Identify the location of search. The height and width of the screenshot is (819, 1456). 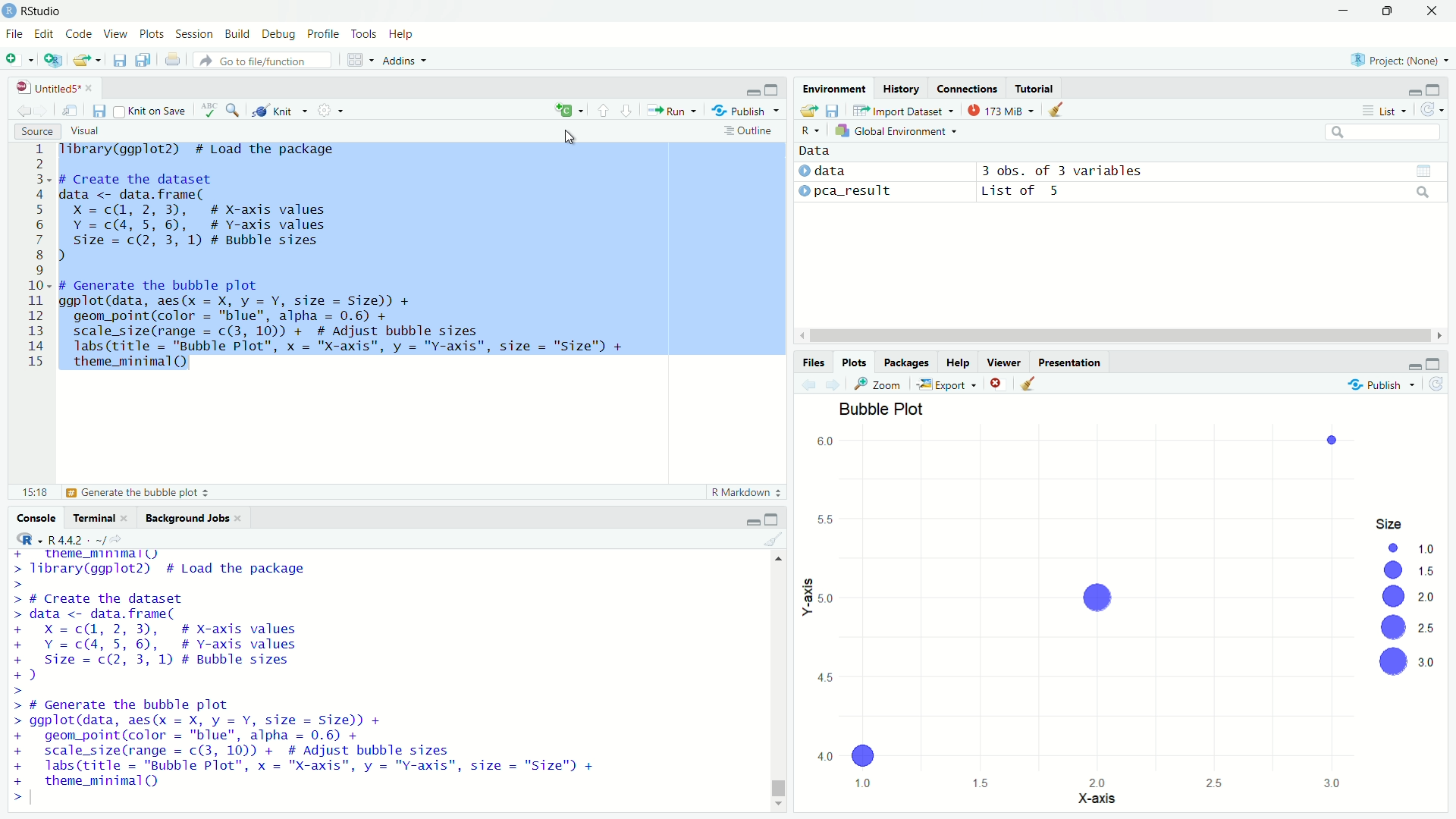
(1385, 132).